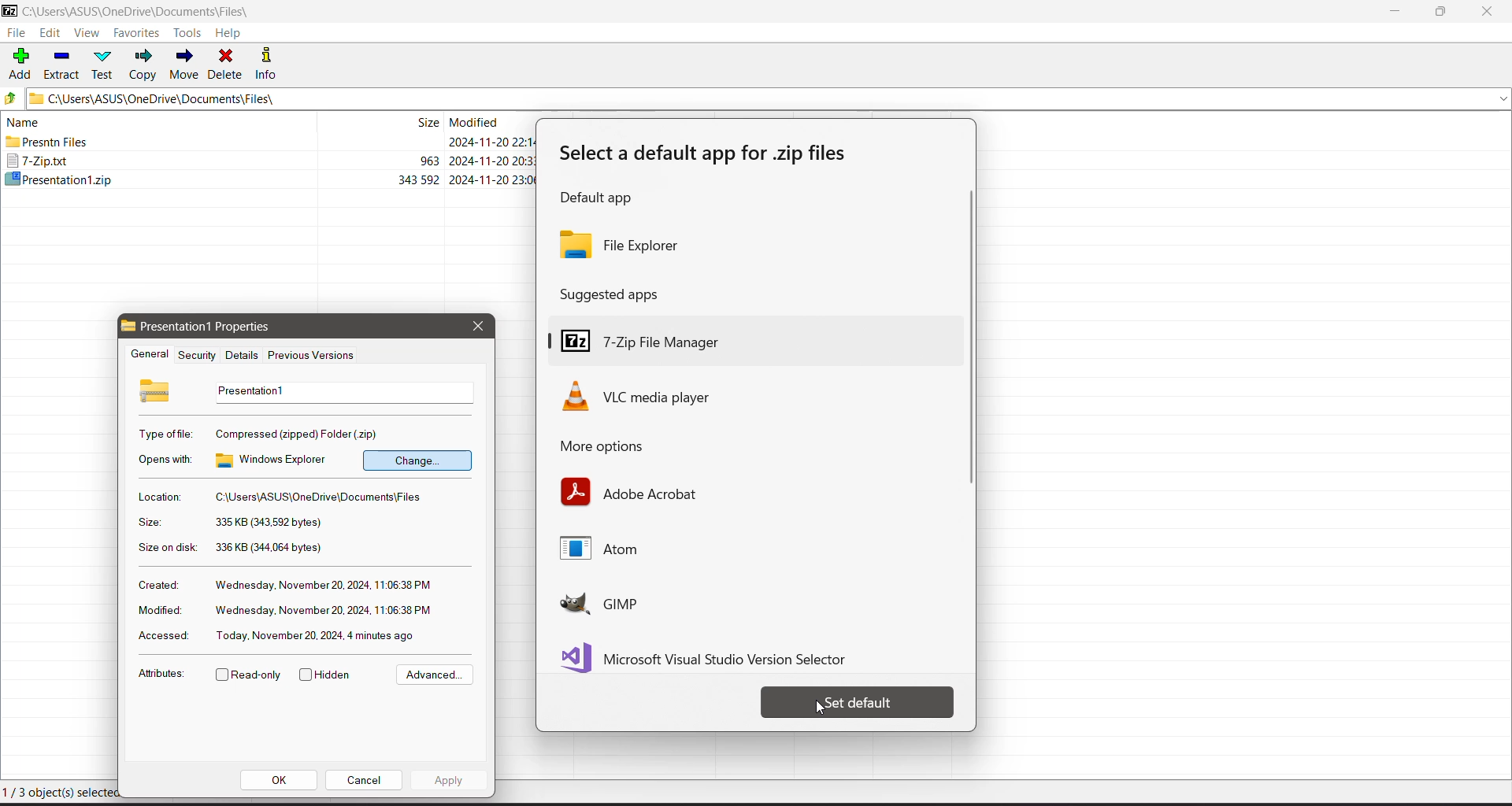  Describe the element at coordinates (239, 355) in the screenshot. I see `Details` at that location.